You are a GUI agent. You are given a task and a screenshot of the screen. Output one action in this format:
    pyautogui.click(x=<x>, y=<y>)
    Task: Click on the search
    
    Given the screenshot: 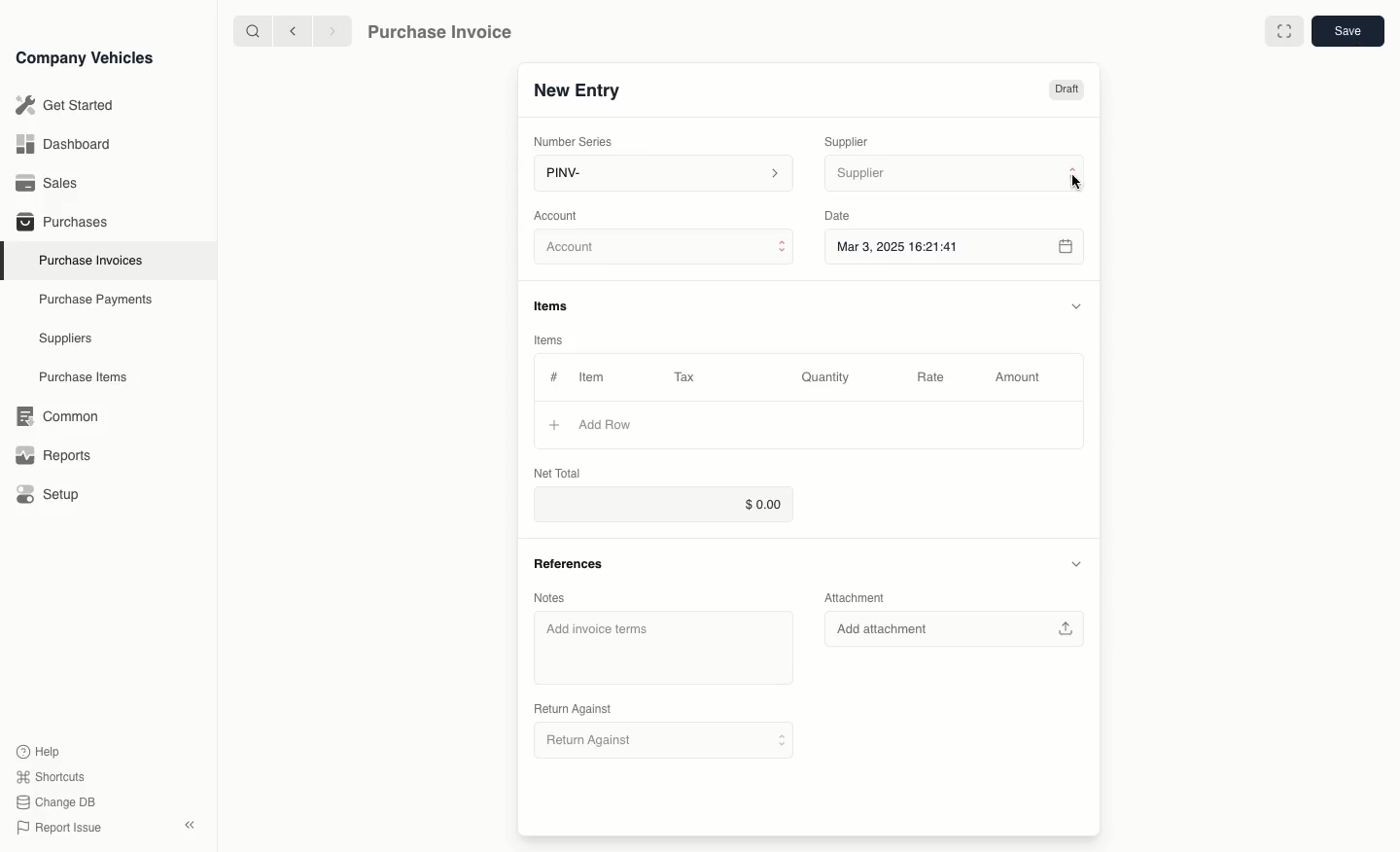 What is the action you would take?
    pyautogui.click(x=254, y=30)
    